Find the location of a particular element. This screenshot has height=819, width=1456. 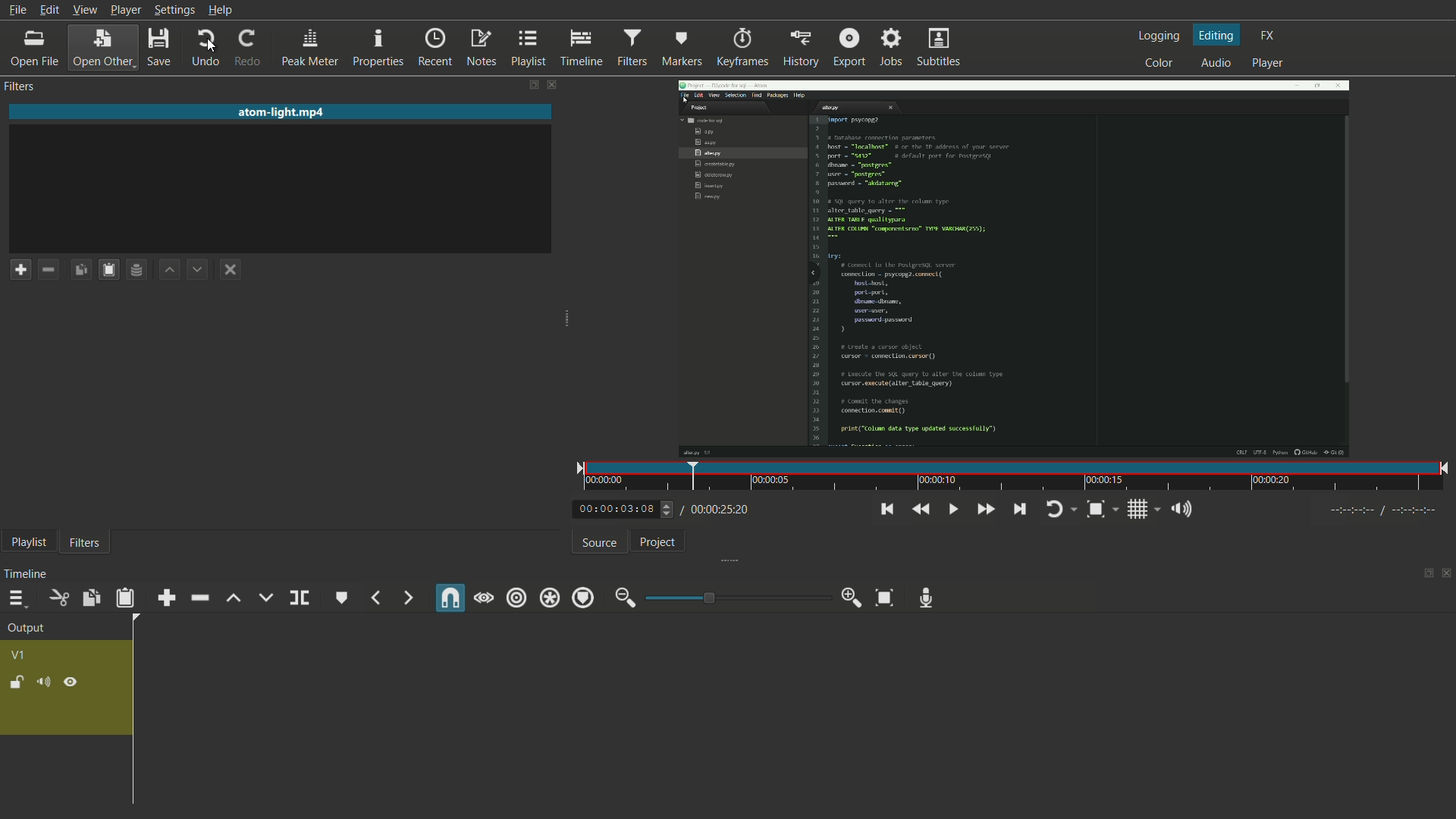

lift is located at coordinates (232, 598).